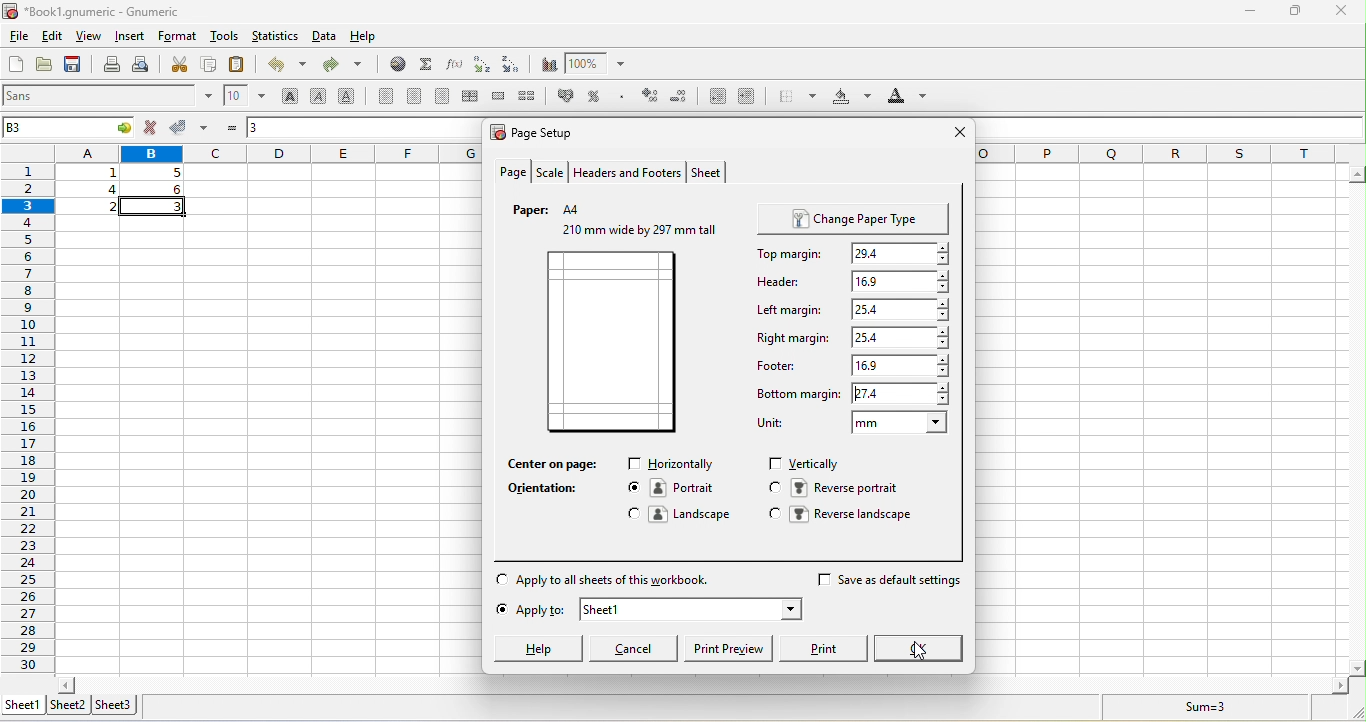  What do you see at coordinates (125, 189) in the screenshot?
I see `cell ranges` at bounding box center [125, 189].